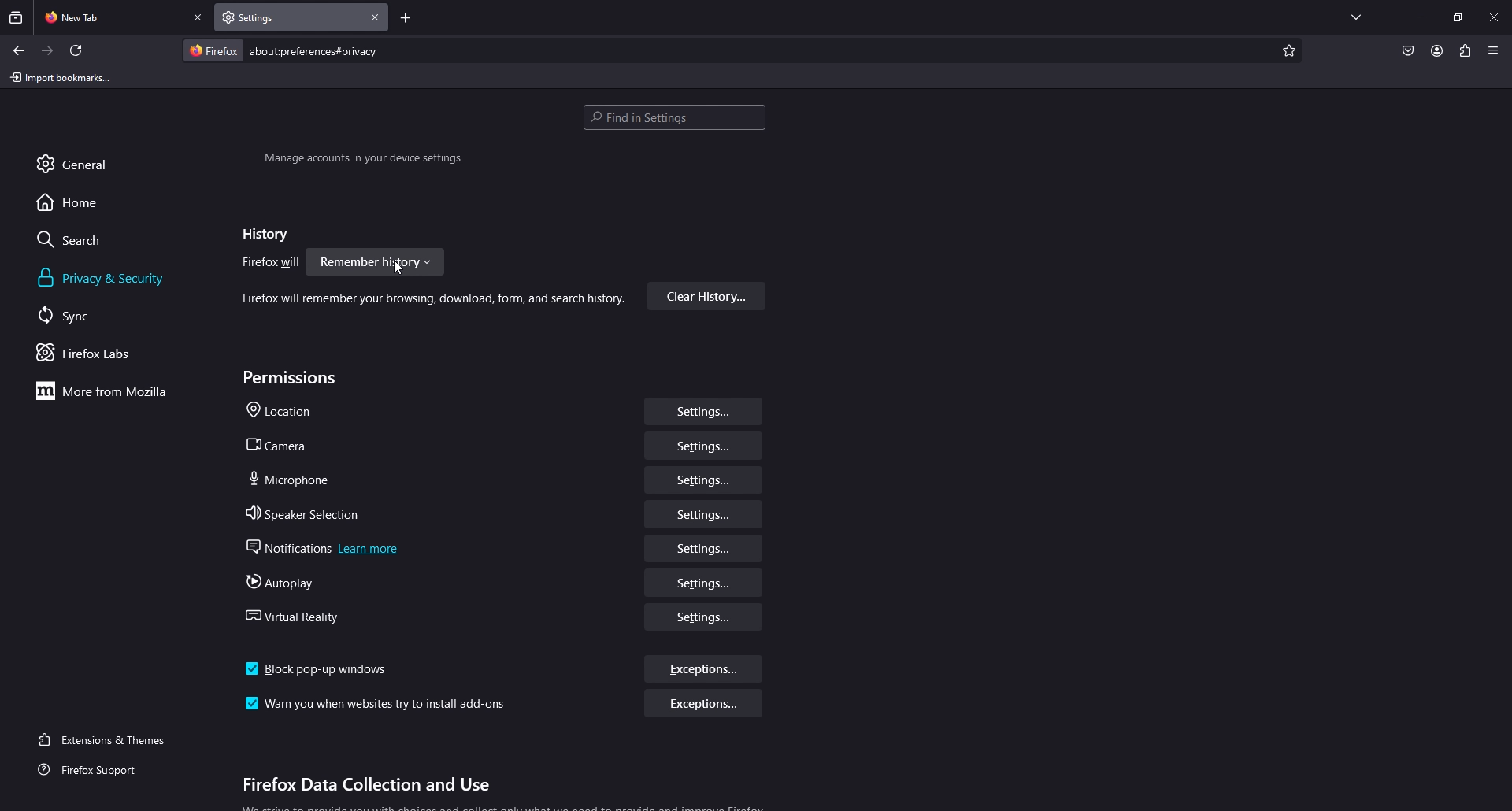 The height and width of the screenshot is (811, 1512). Describe the element at coordinates (48, 51) in the screenshot. I see `forward` at that location.